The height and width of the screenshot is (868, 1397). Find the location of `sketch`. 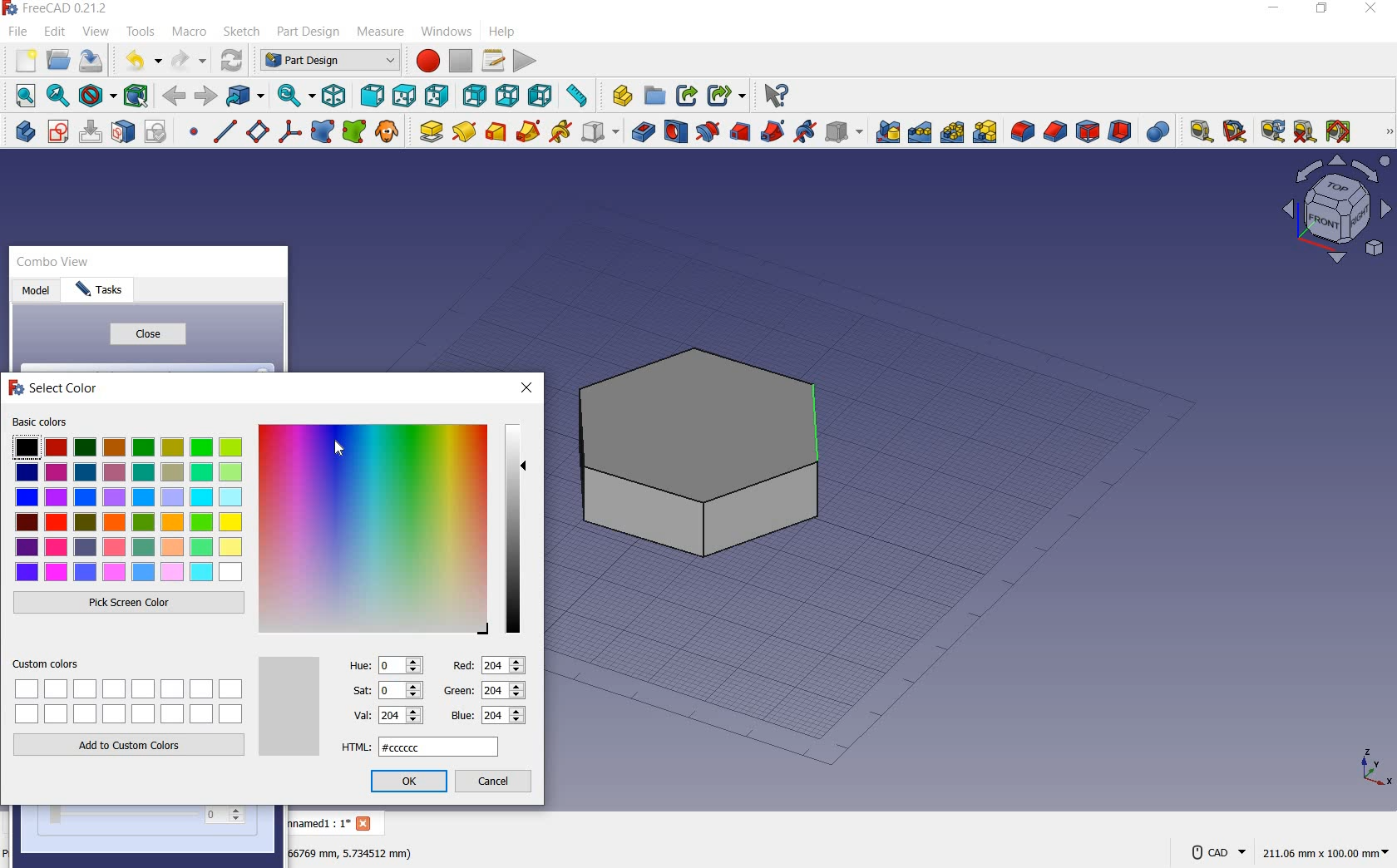

sketch is located at coordinates (240, 32).